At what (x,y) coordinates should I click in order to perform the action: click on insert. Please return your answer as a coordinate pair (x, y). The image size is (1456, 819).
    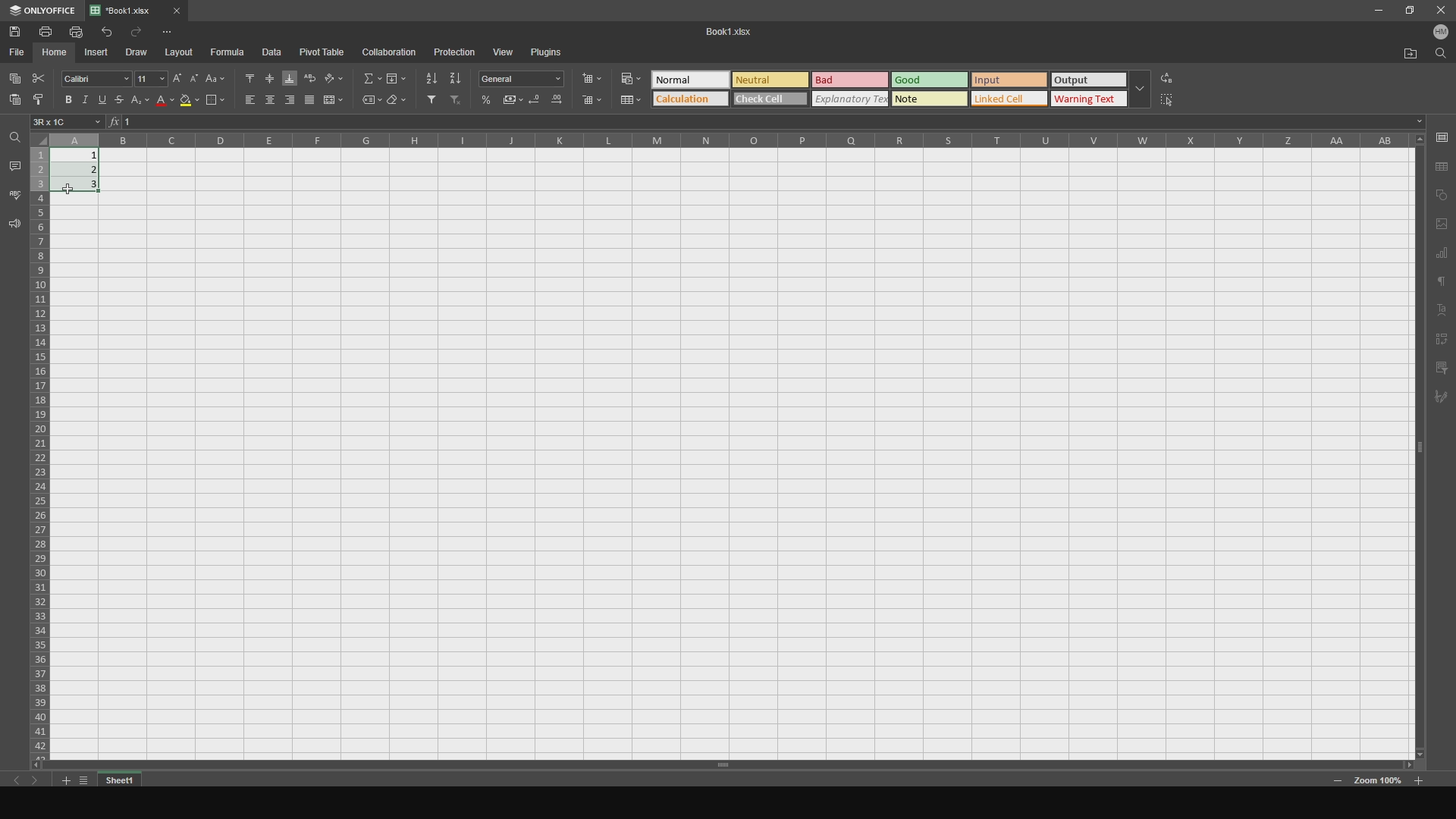
    Looking at the image, I should click on (100, 53).